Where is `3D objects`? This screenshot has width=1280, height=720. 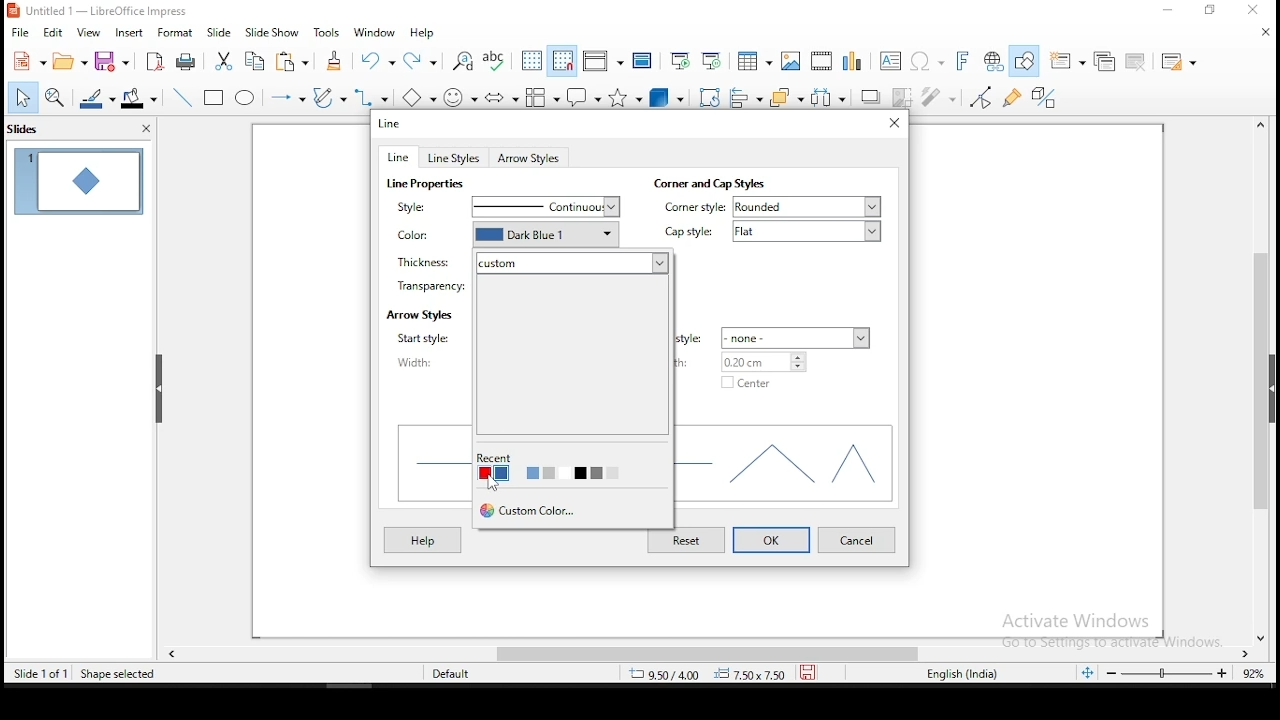 3D objects is located at coordinates (668, 96).